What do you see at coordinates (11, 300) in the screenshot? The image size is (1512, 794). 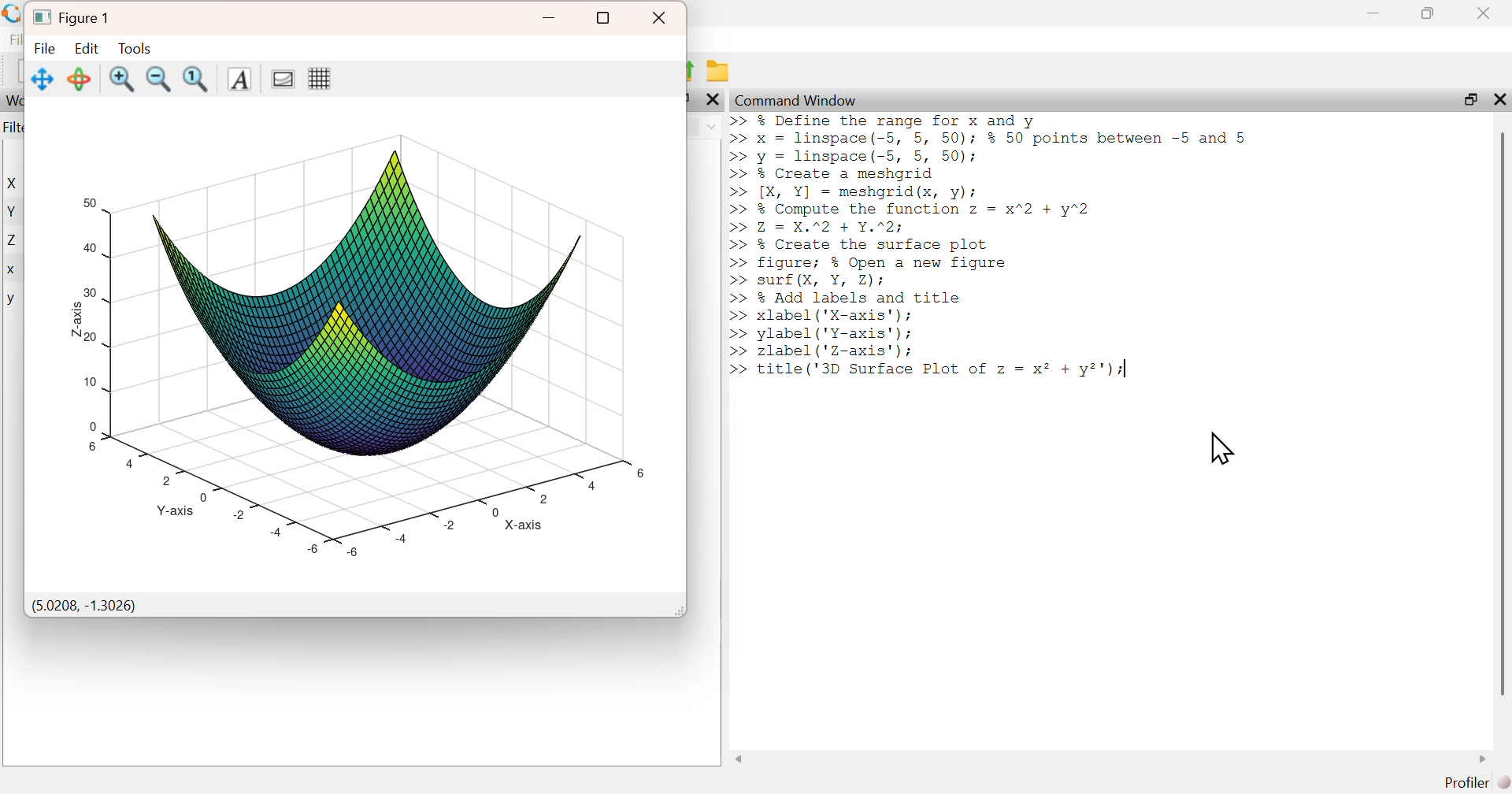 I see `y` at bounding box center [11, 300].